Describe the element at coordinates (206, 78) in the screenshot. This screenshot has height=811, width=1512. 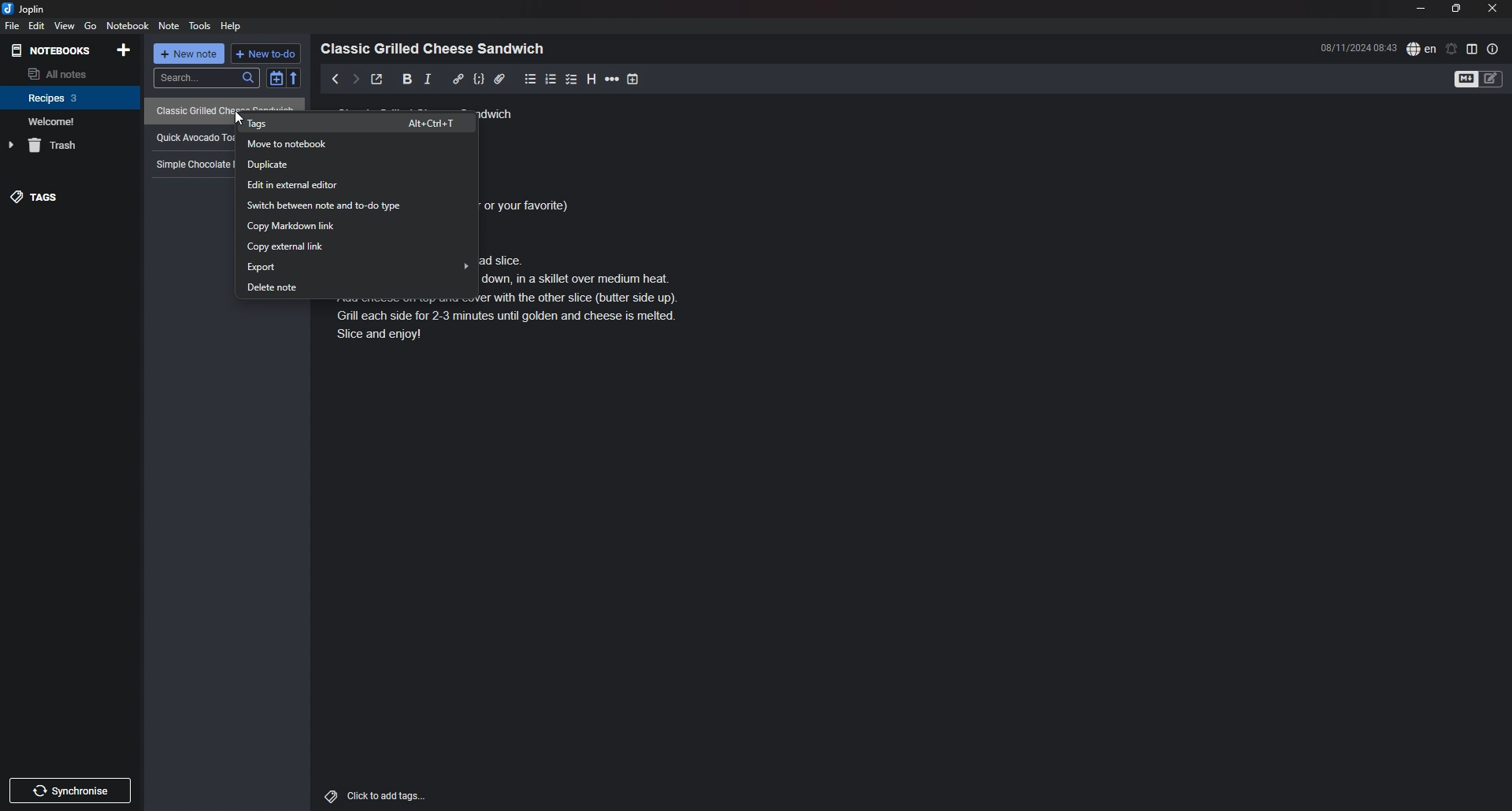
I see `search` at that location.